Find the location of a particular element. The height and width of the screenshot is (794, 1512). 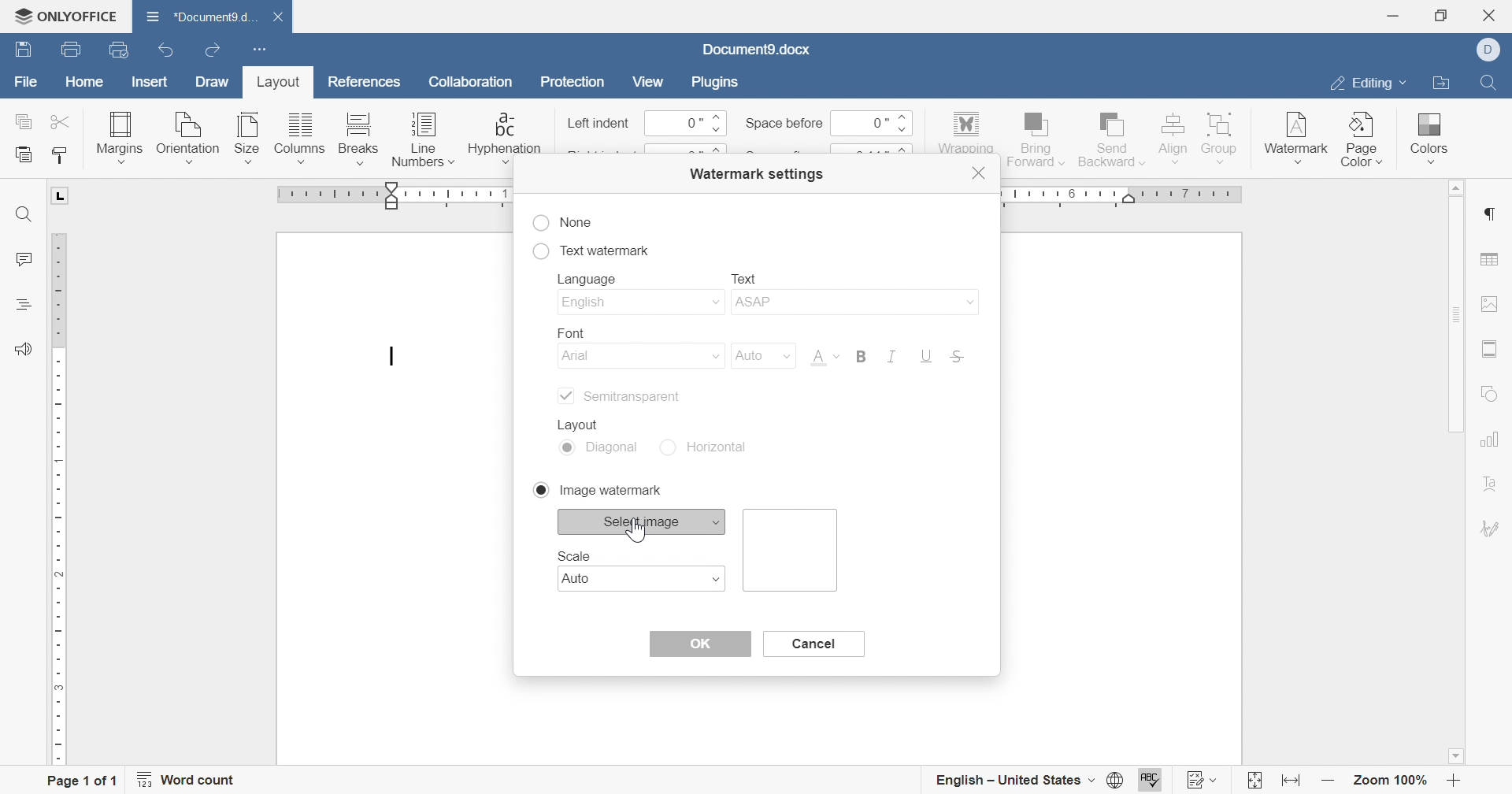

asap is located at coordinates (853, 305).